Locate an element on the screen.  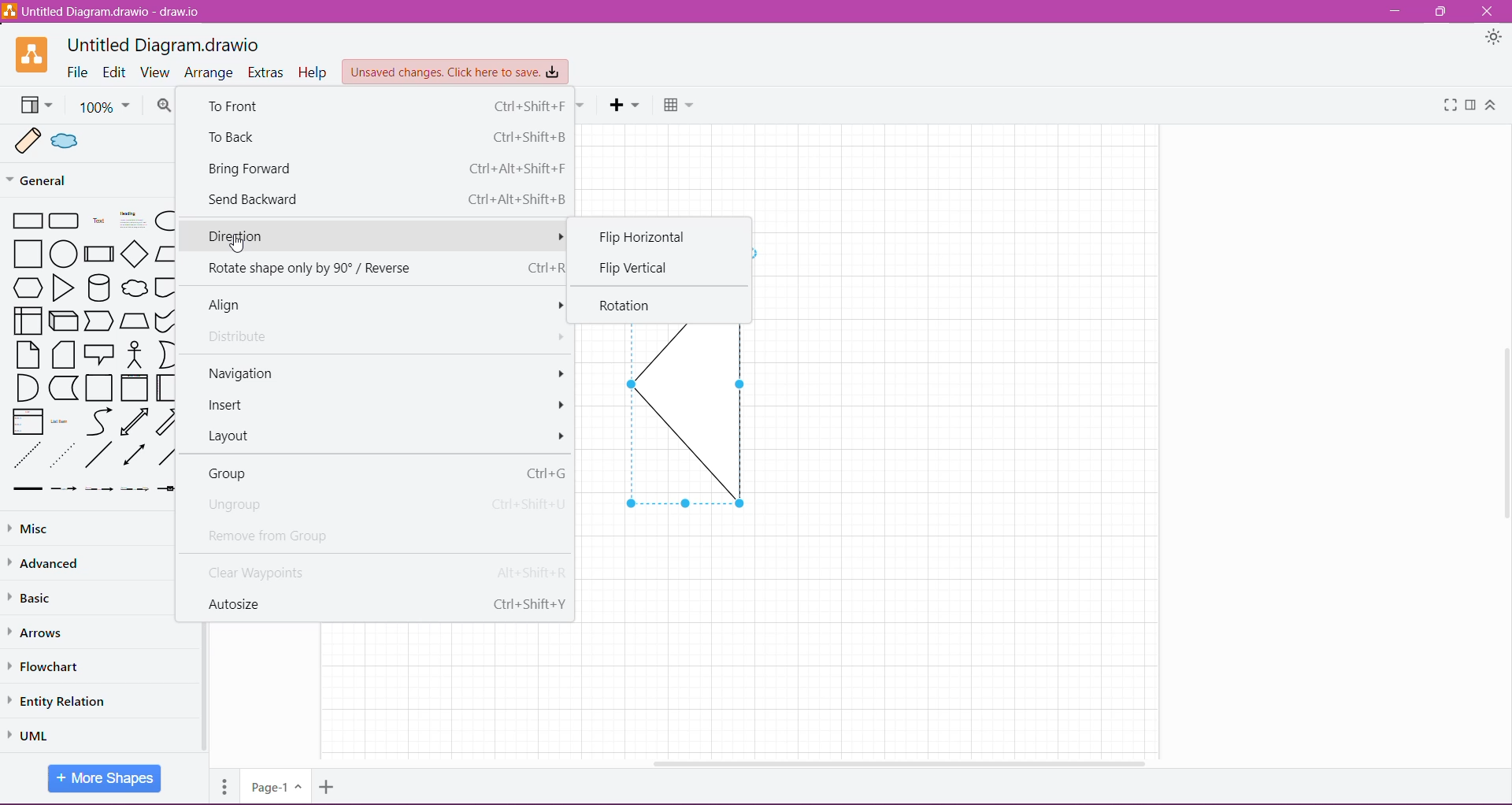
Extras is located at coordinates (265, 73).